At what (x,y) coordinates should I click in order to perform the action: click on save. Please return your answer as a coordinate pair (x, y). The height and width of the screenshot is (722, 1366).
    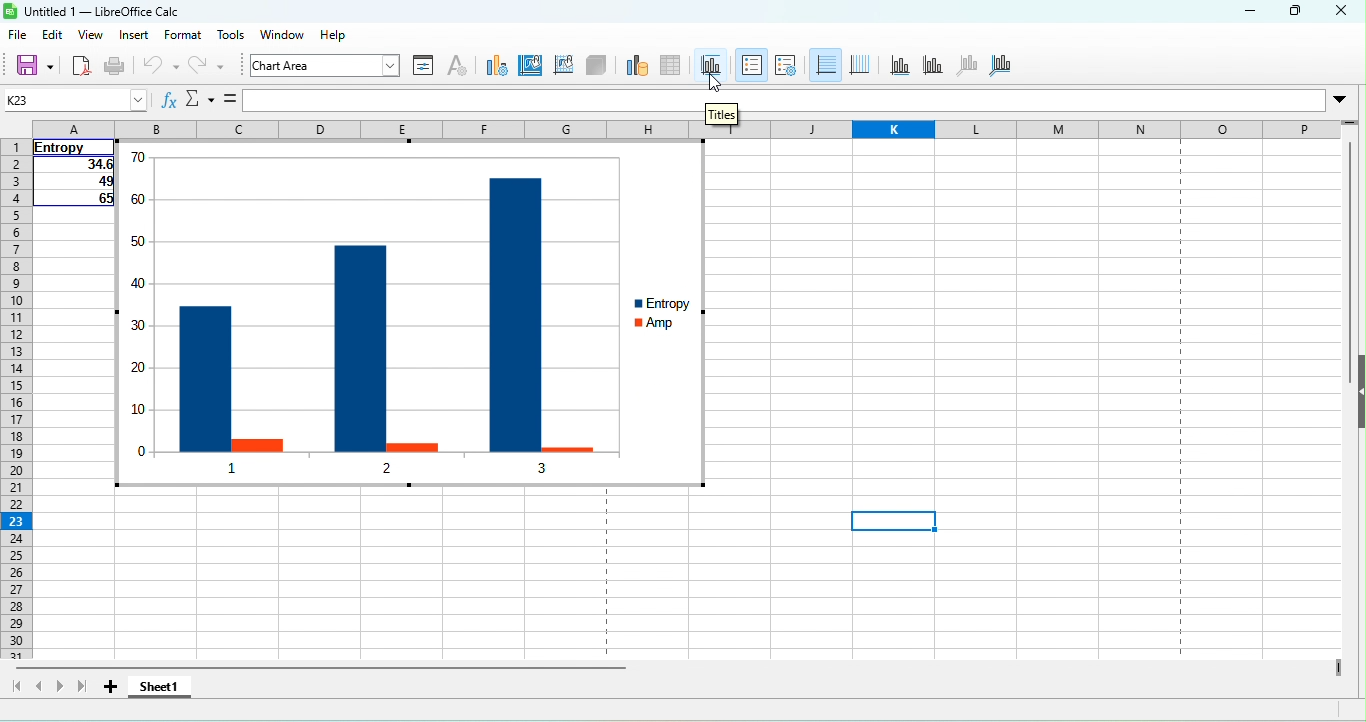
    Looking at the image, I should click on (35, 67).